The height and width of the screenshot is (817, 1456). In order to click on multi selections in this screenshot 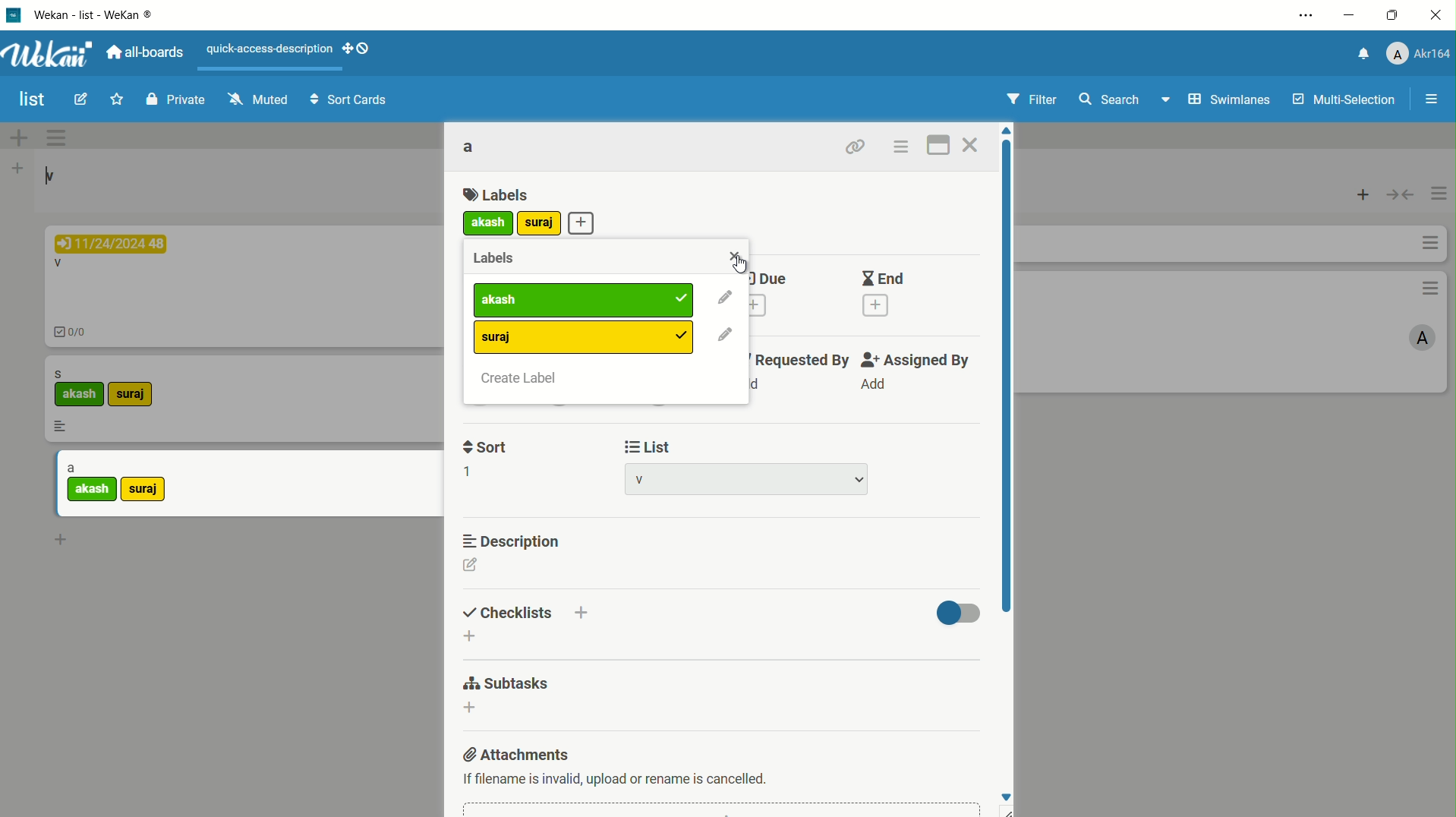, I will do `click(1342, 101)`.